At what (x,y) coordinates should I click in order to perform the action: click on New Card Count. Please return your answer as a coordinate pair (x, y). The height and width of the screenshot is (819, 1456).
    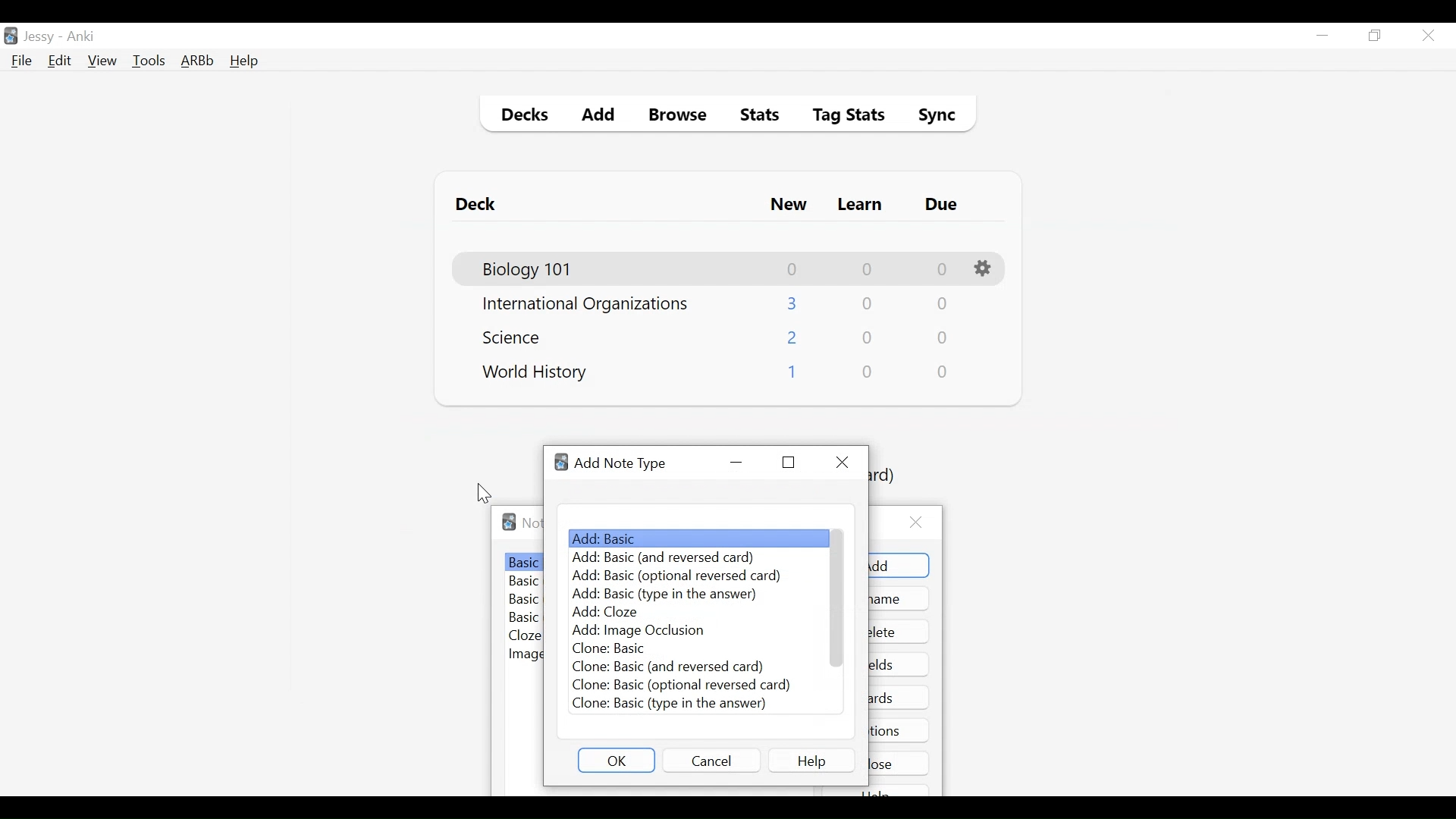
    Looking at the image, I should click on (793, 303).